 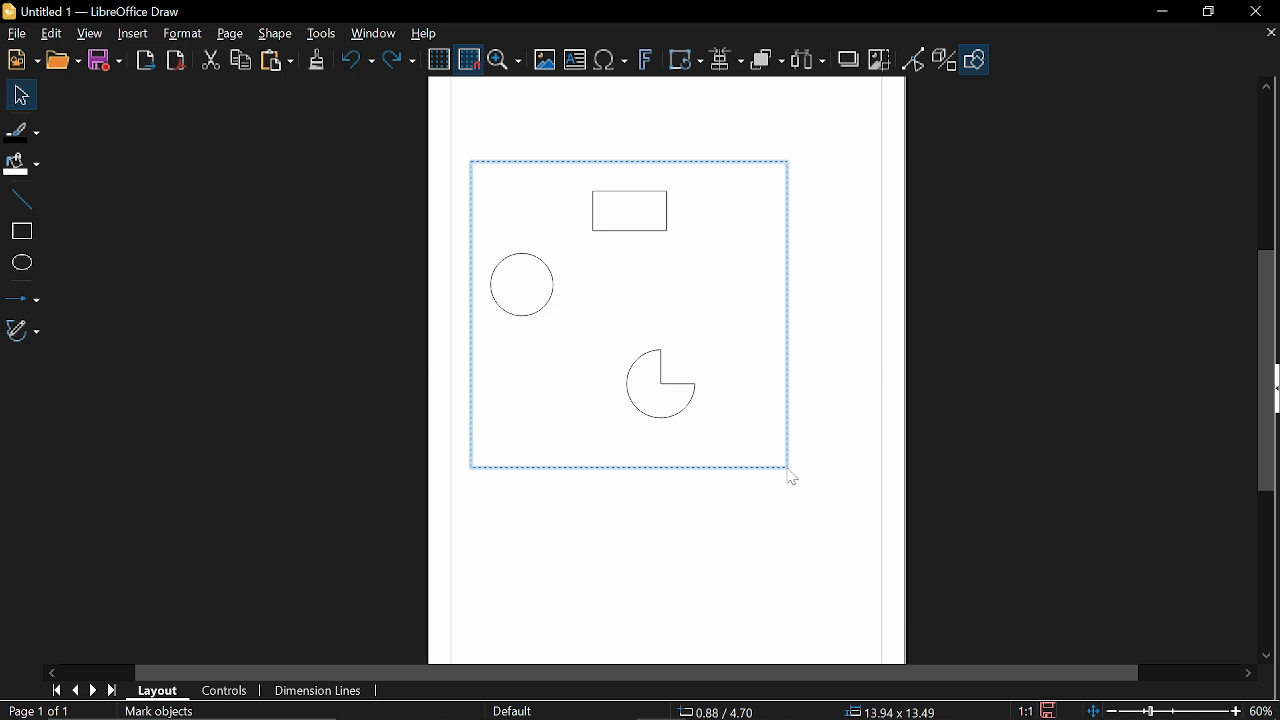 I want to click on horizontal line around objects, so click(x=630, y=159).